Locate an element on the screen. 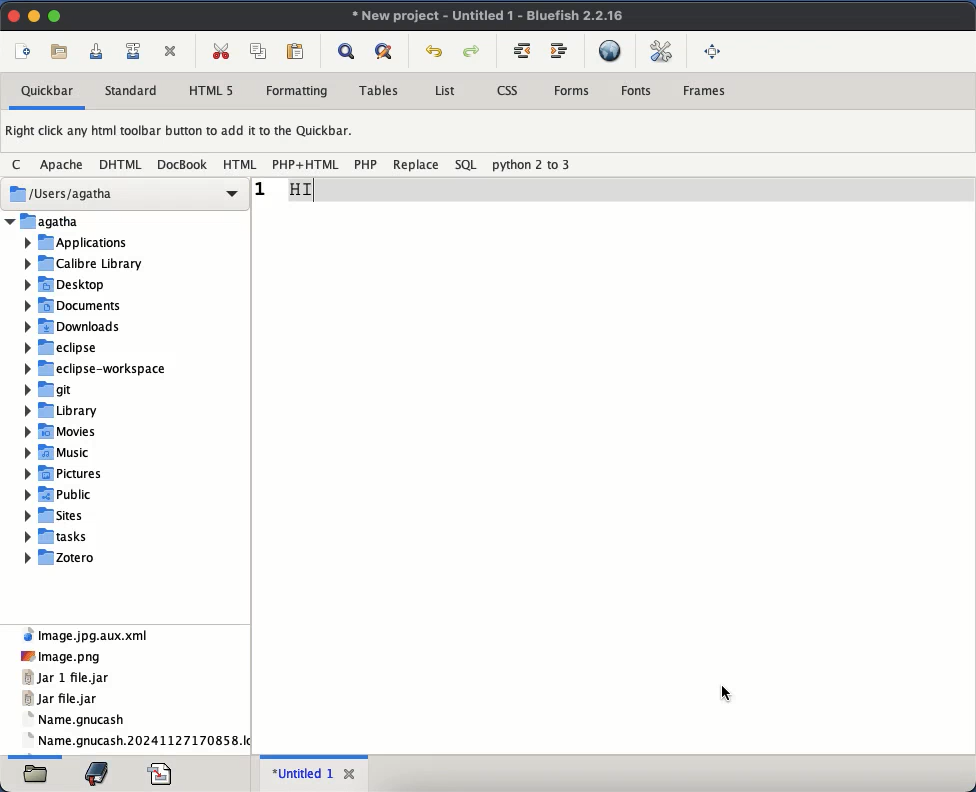 This screenshot has width=976, height=792. html is located at coordinates (242, 165).